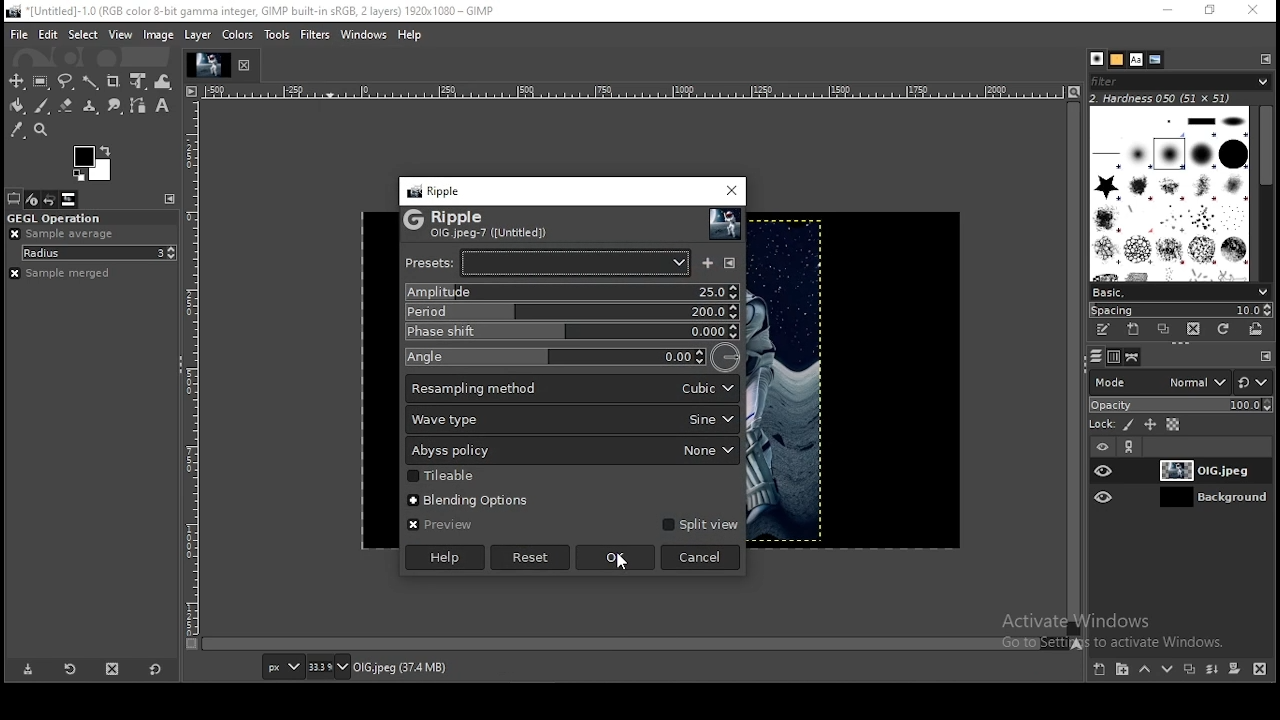  What do you see at coordinates (1134, 330) in the screenshot?
I see `create a new brush` at bounding box center [1134, 330].